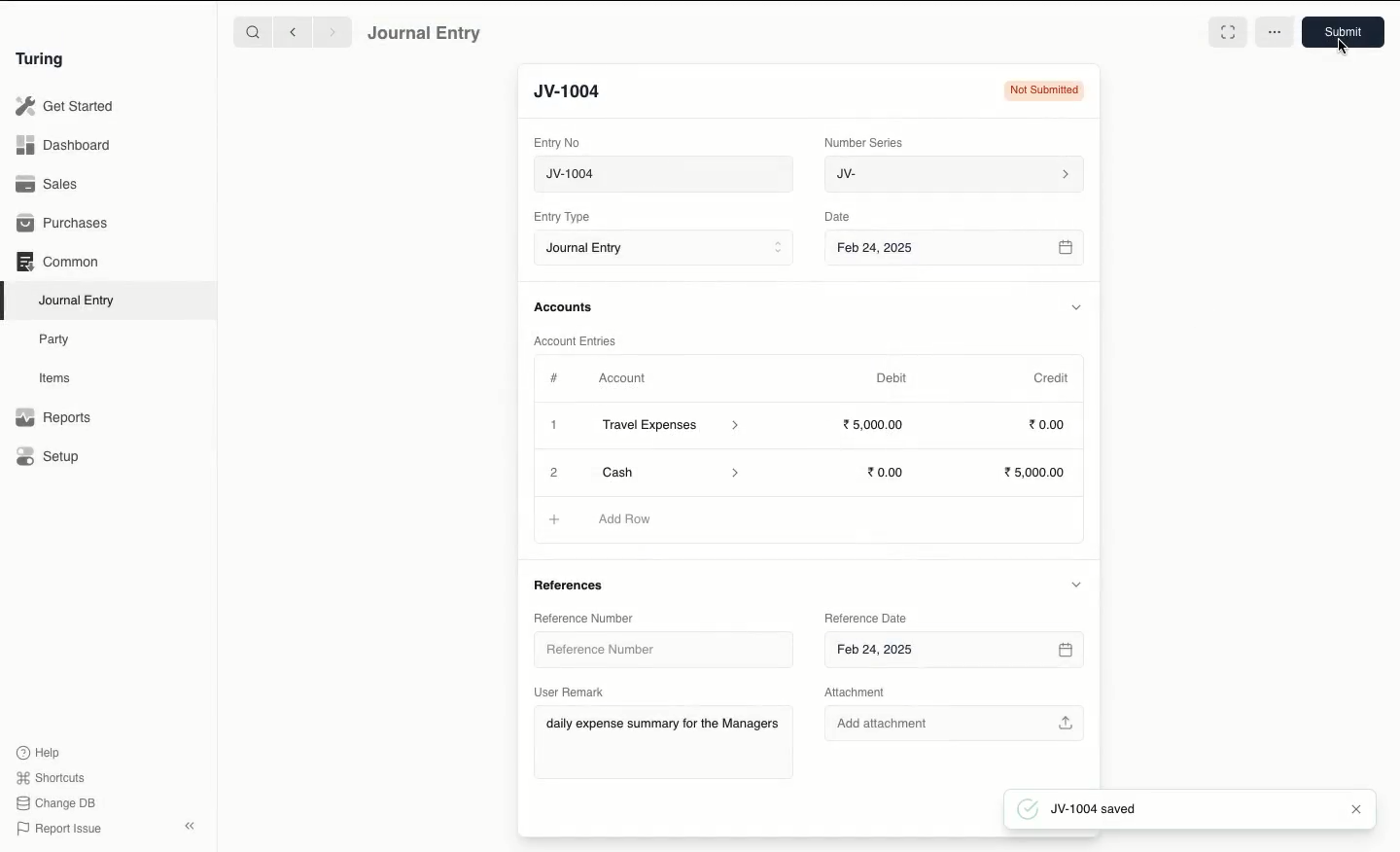 This screenshot has width=1400, height=852. Describe the element at coordinates (666, 471) in the screenshot. I see `Cash` at that location.